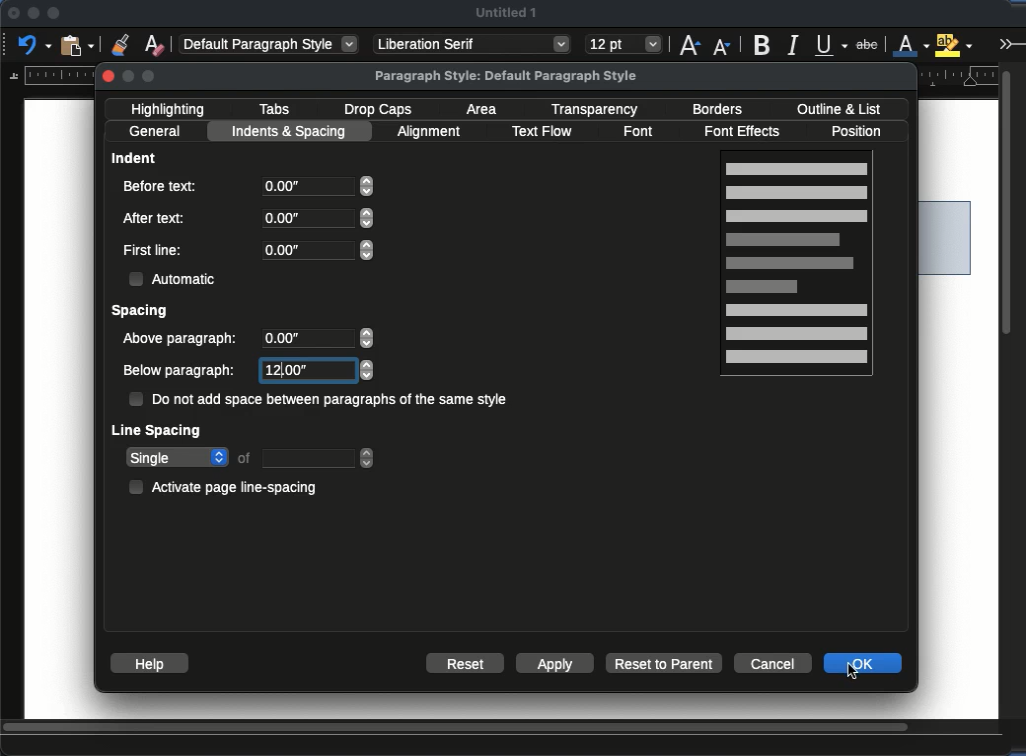 Image resolution: width=1026 pixels, height=756 pixels. Describe the element at coordinates (79, 44) in the screenshot. I see `paste` at that location.